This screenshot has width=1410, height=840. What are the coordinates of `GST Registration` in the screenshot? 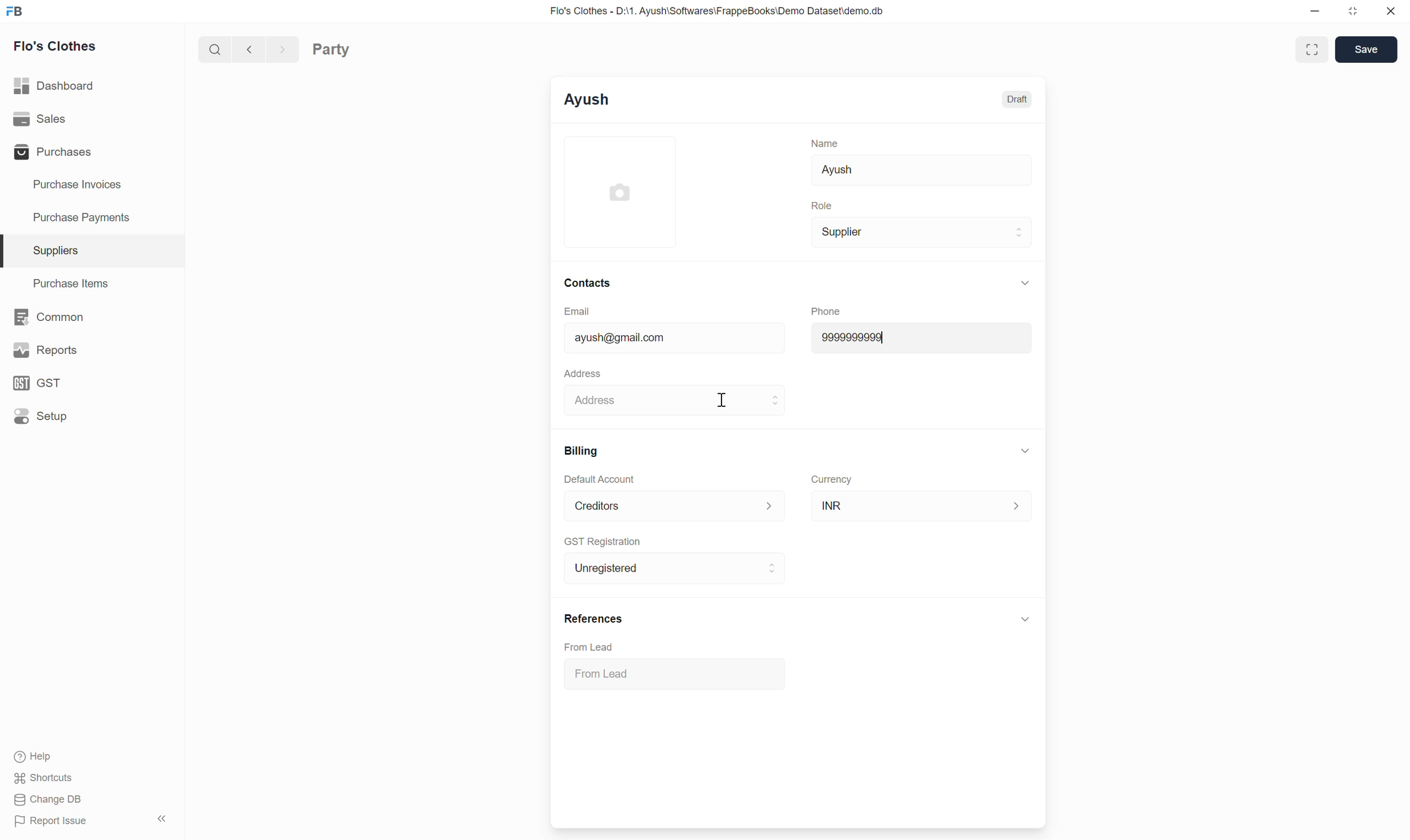 It's located at (603, 542).